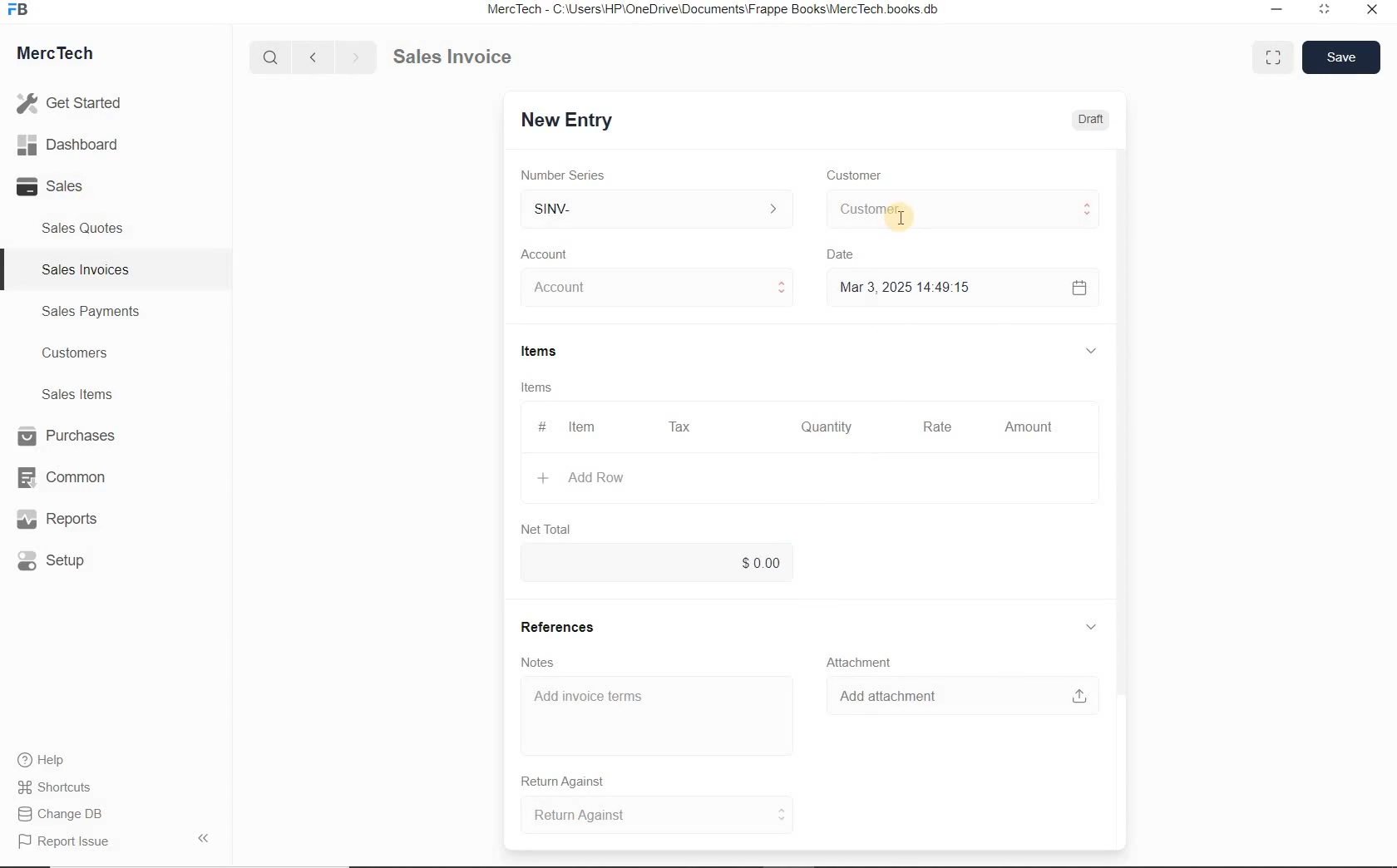 The height and width of the screenshot is (868, 1397). What do you see at coordinates (659, 289) in the screenshot?
I see `Account dropdown` at bounding box center [659, 289].